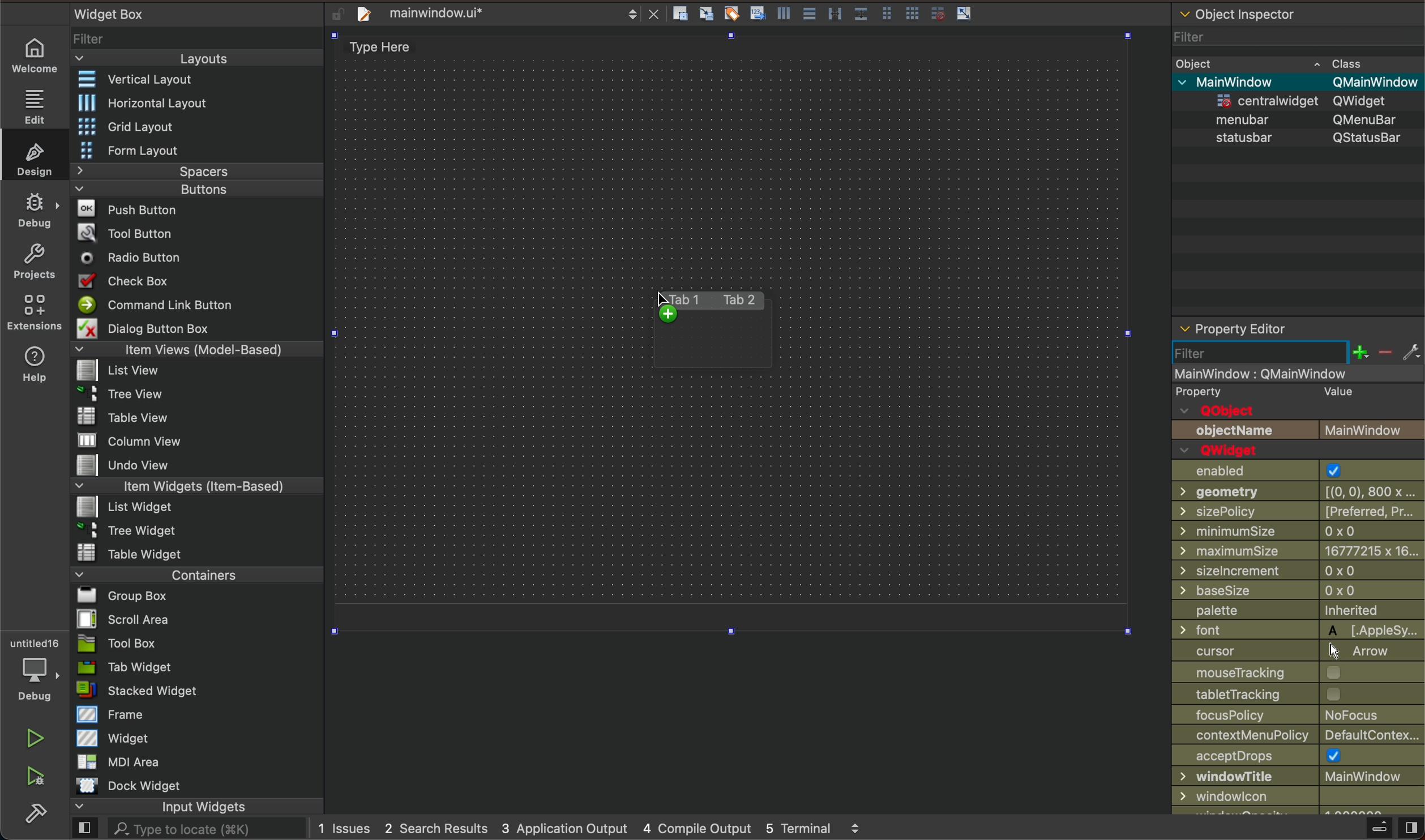 Image resolution: width=1425 pixels, height=840 pixels. I want to click on Filter, so click(93, 37).